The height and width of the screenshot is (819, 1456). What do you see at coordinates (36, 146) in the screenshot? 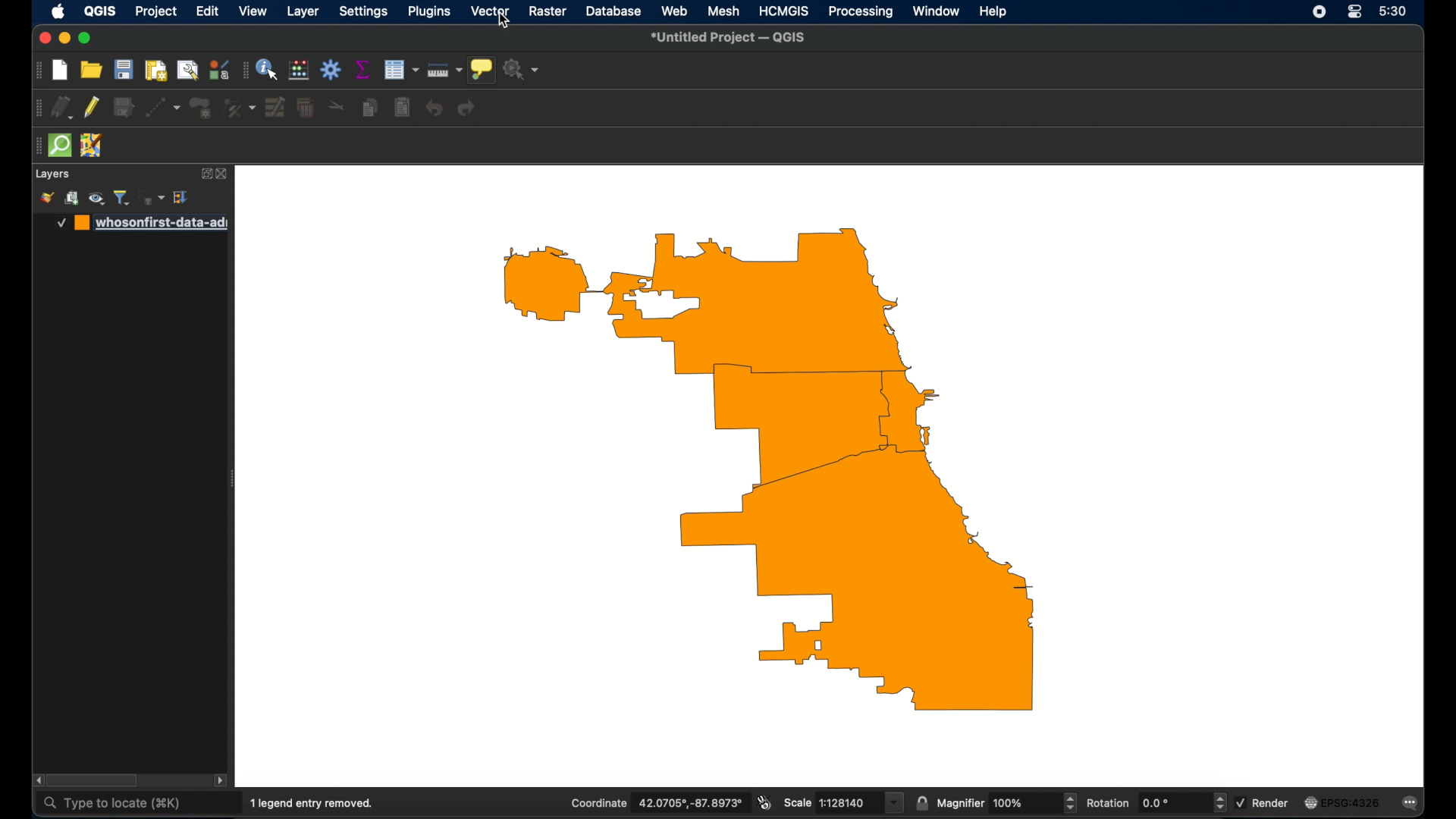
I see `drag handle` at bounding box center [36, 146].